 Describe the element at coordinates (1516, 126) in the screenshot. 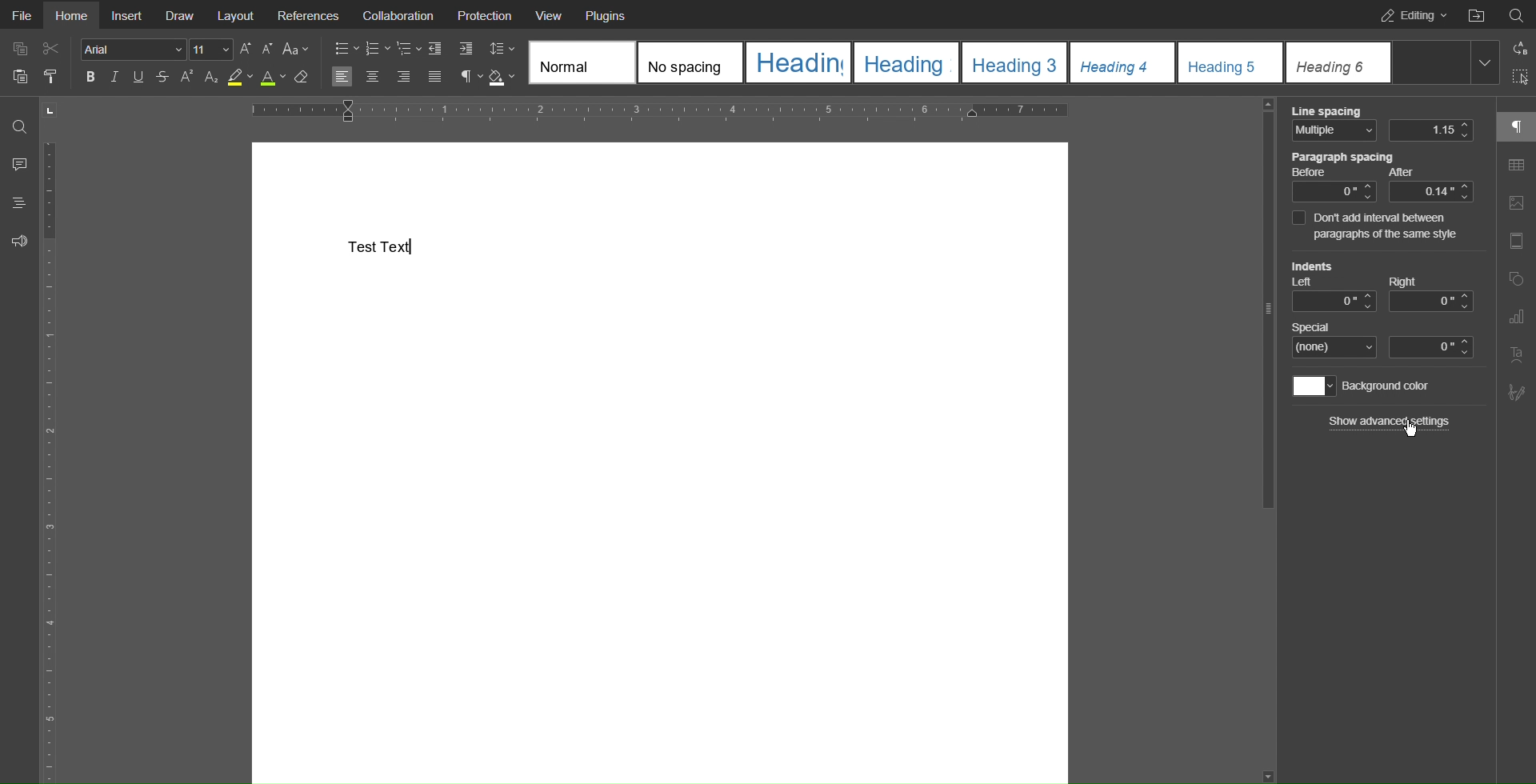

I see `Paragraph Settings` at that location.